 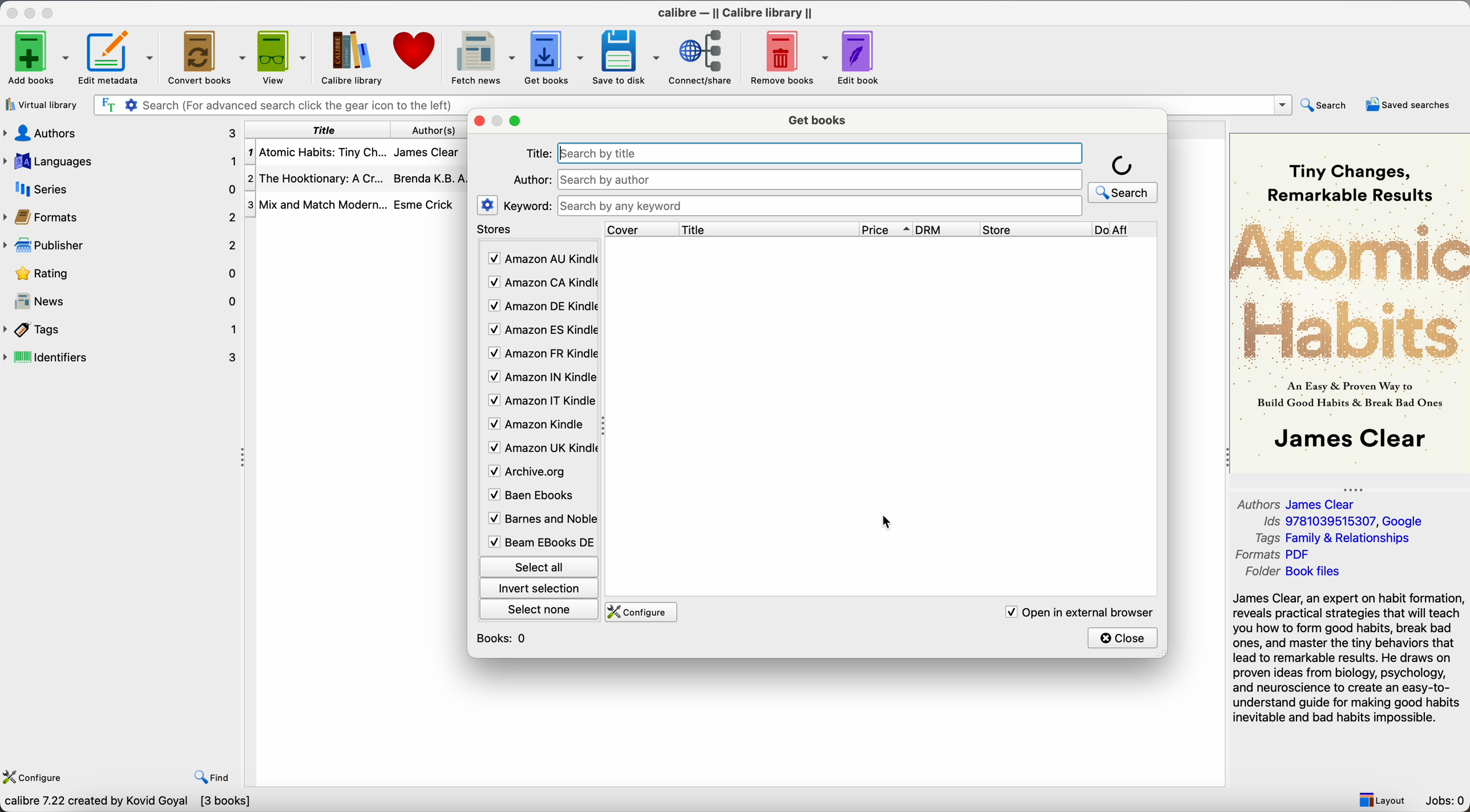 I want to click on Jobs: 0, so click(x=1447, y=802).